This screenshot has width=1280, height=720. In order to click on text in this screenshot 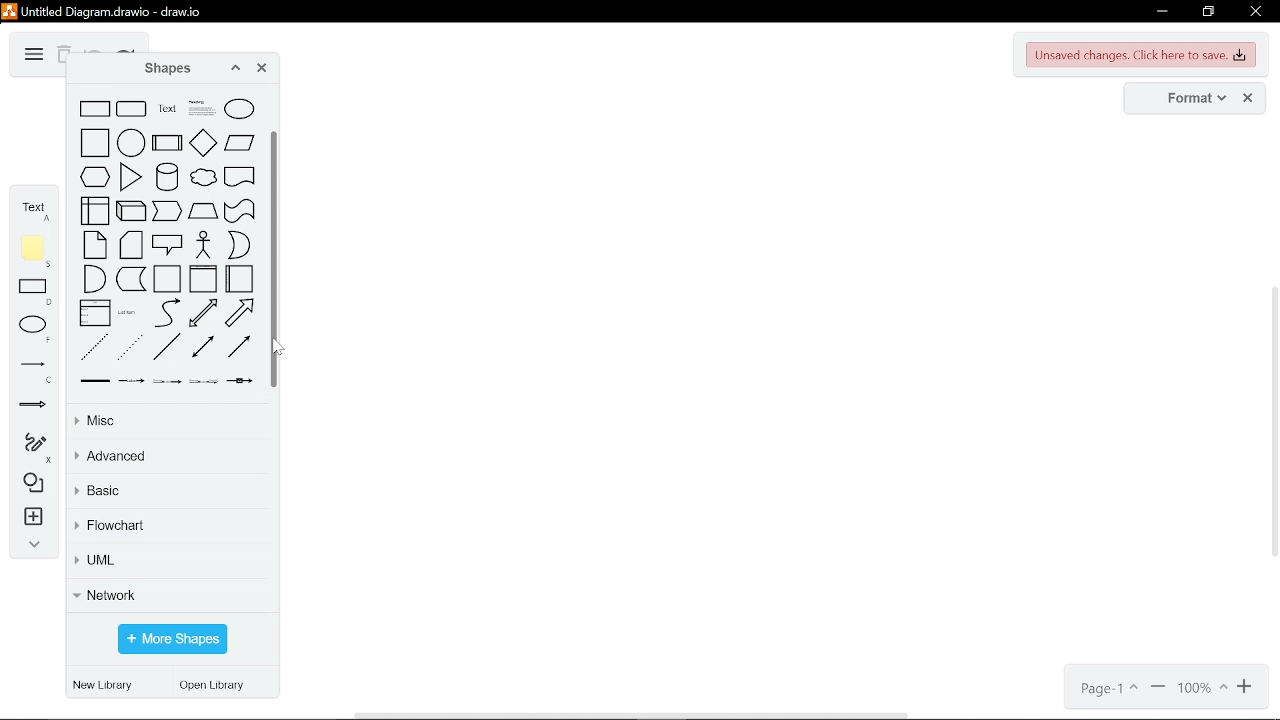, I will do `click(167, 109)`.